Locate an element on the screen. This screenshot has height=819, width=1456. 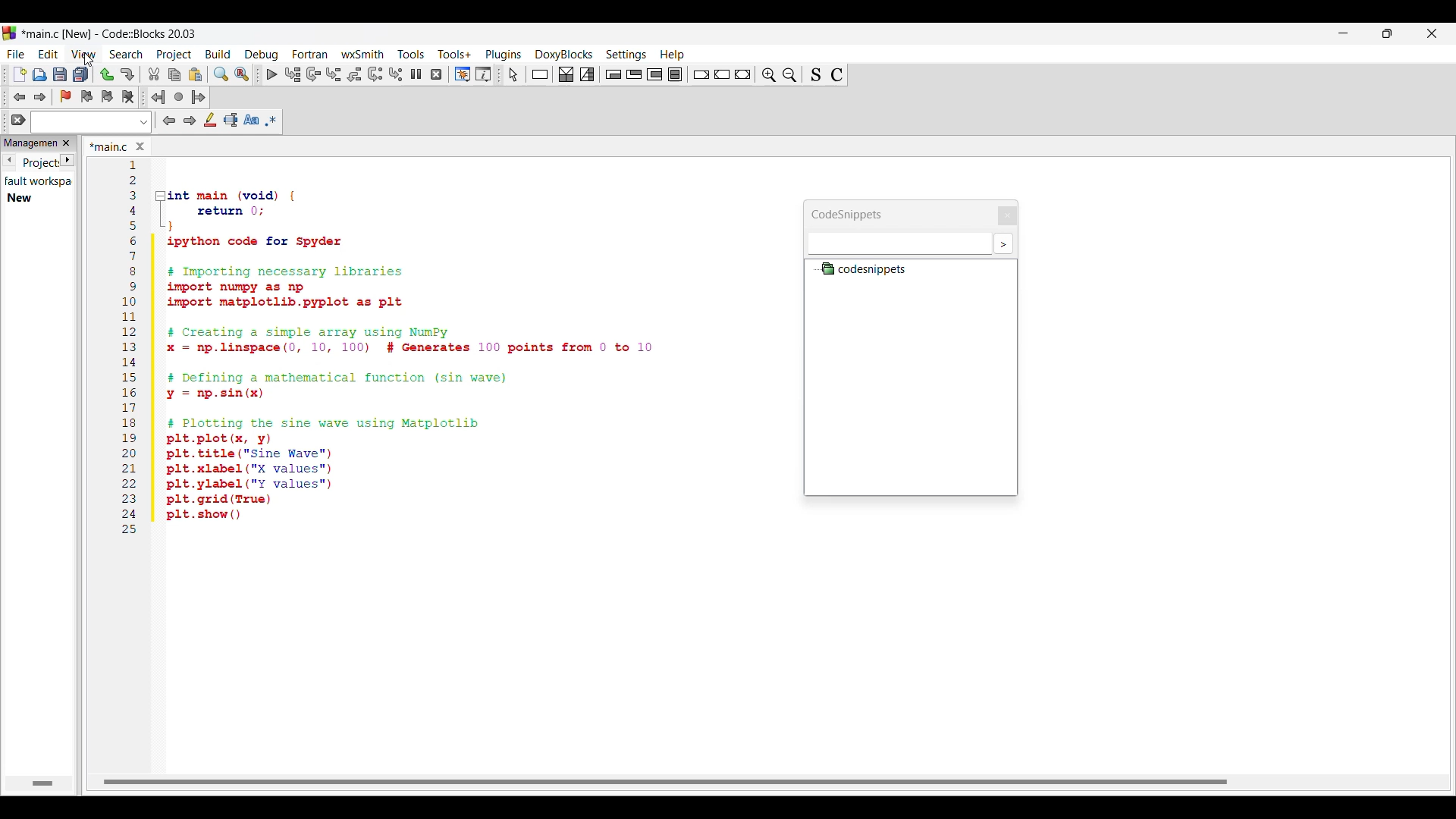
Next is located at coordinates (67, 160).